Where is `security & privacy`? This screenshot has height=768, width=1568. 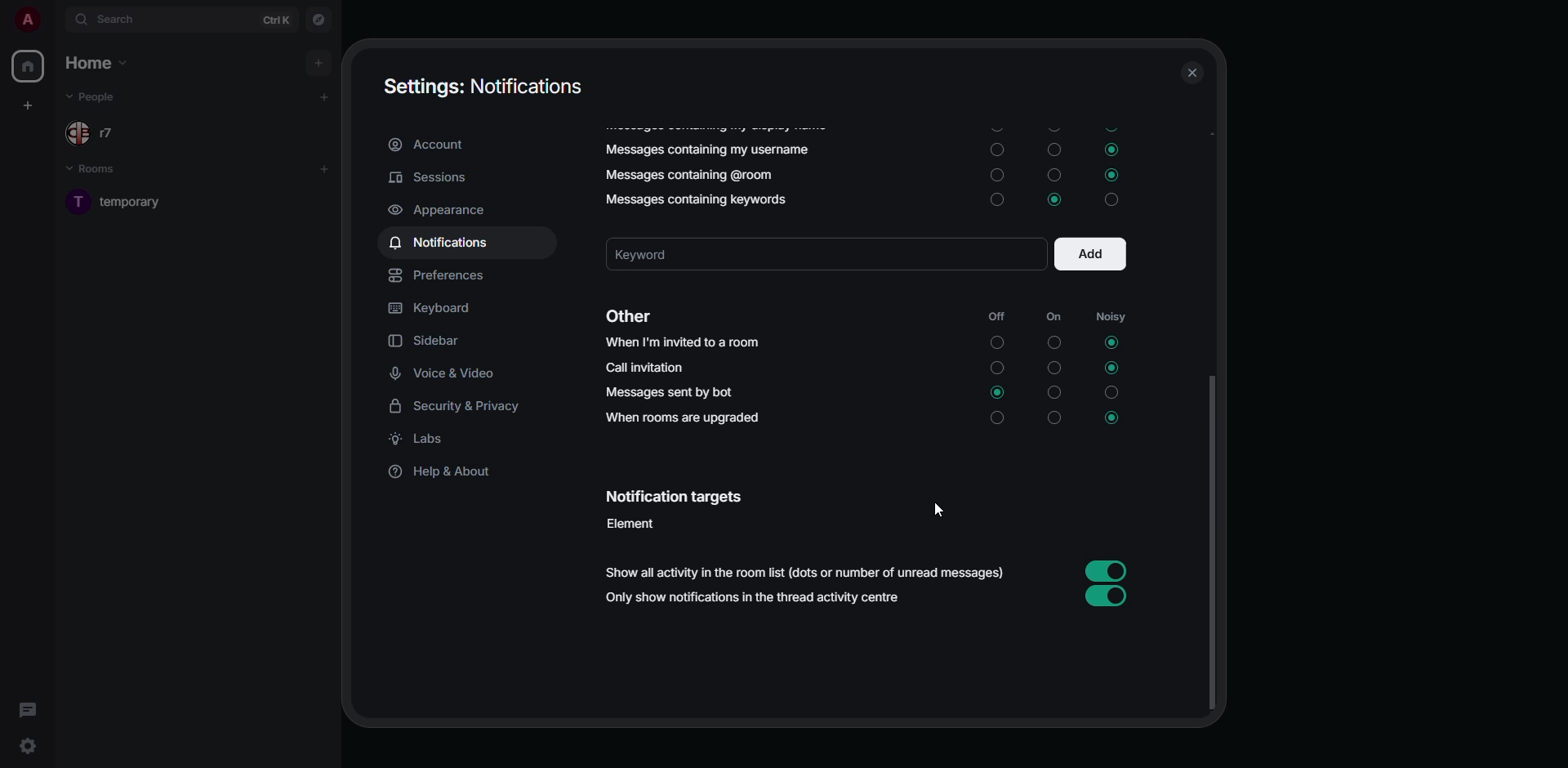 security & privacy is located at coordinates (463, 406).